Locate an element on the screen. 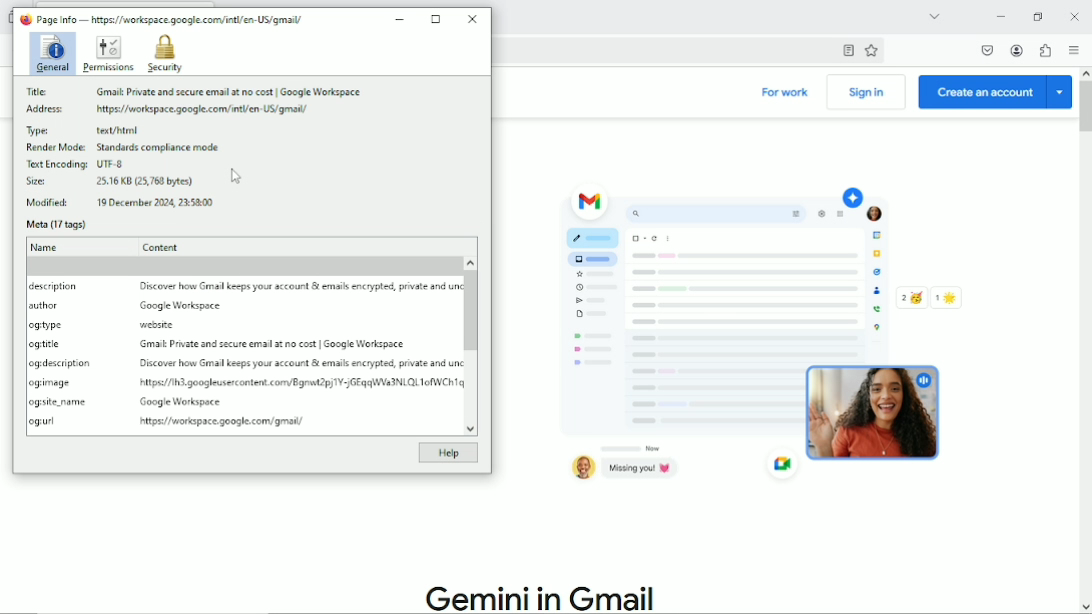  og:title is located at coordinates (46, 345).